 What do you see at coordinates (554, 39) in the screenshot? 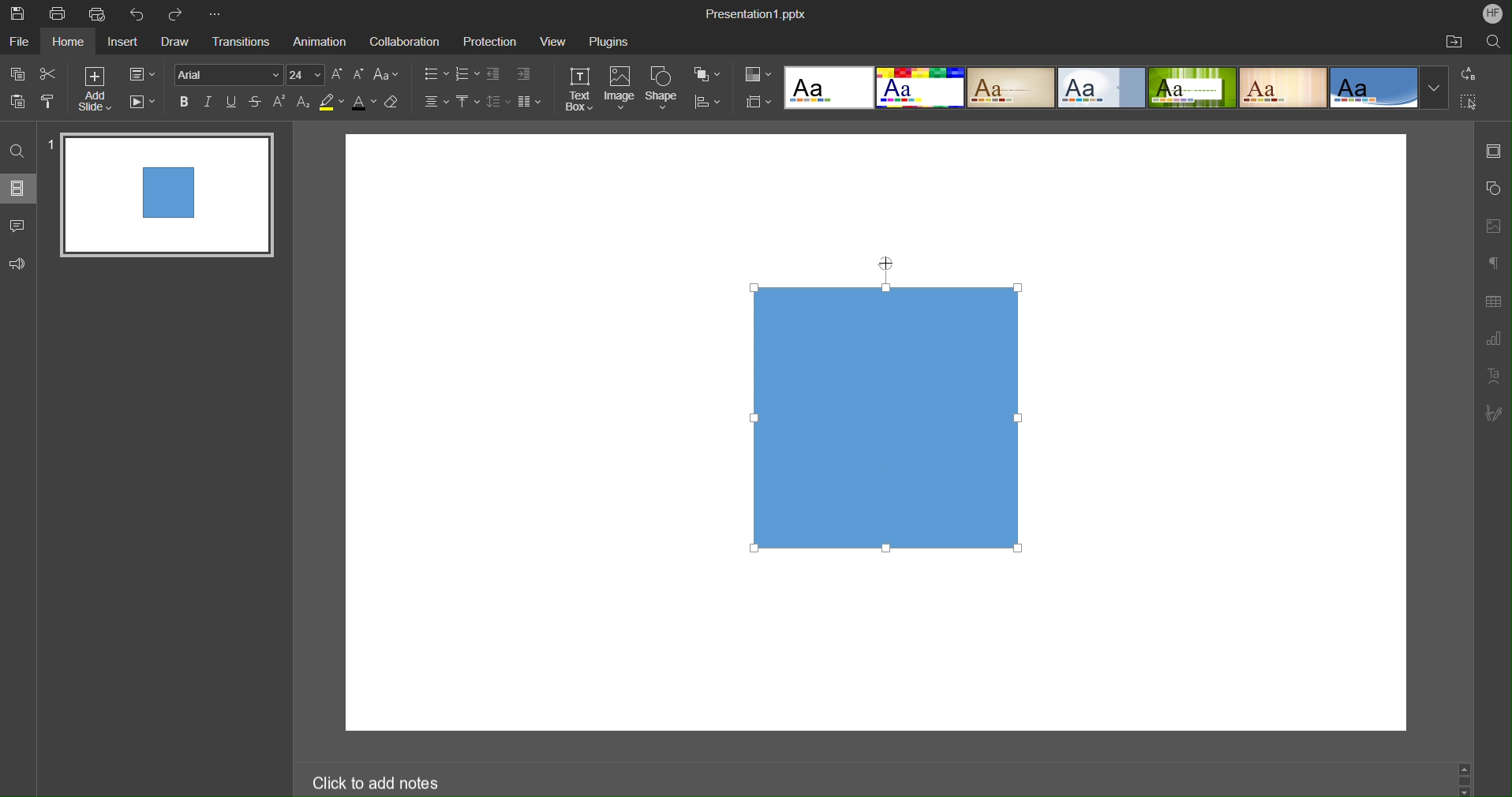
I see `View` at bounding box center [554, 39].